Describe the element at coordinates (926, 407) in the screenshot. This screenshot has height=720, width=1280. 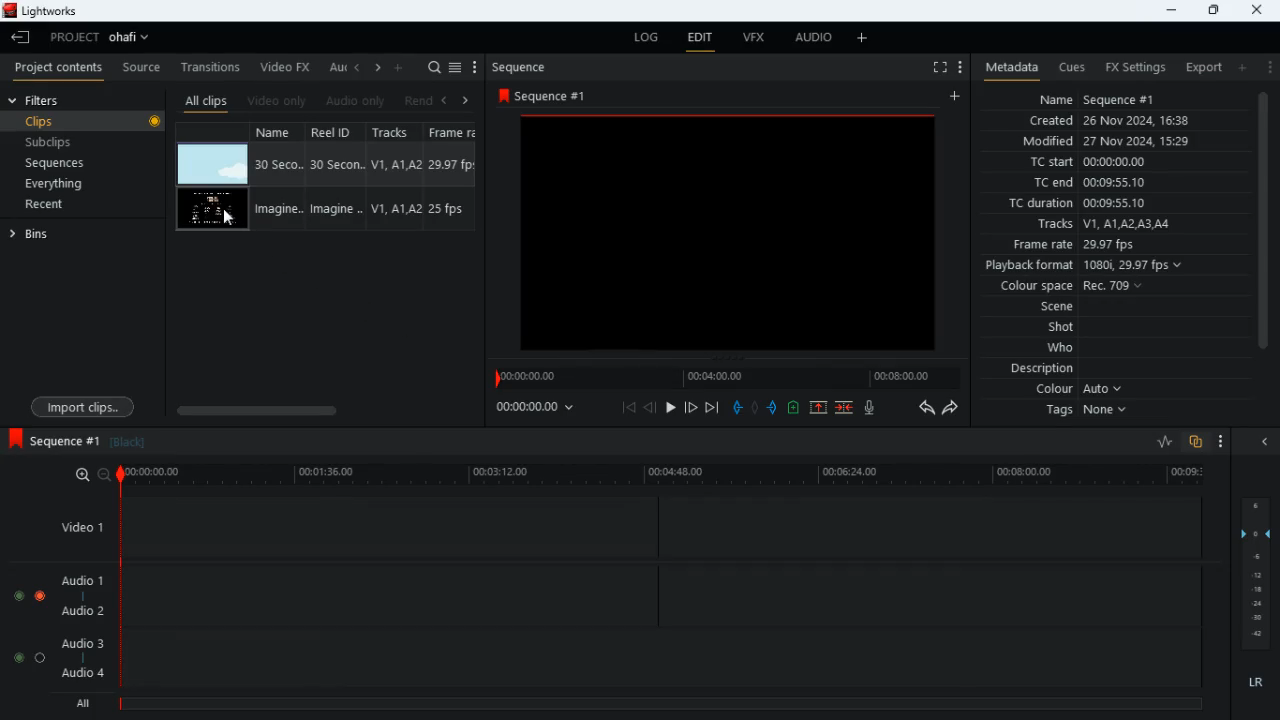
I see `backward` at that location.